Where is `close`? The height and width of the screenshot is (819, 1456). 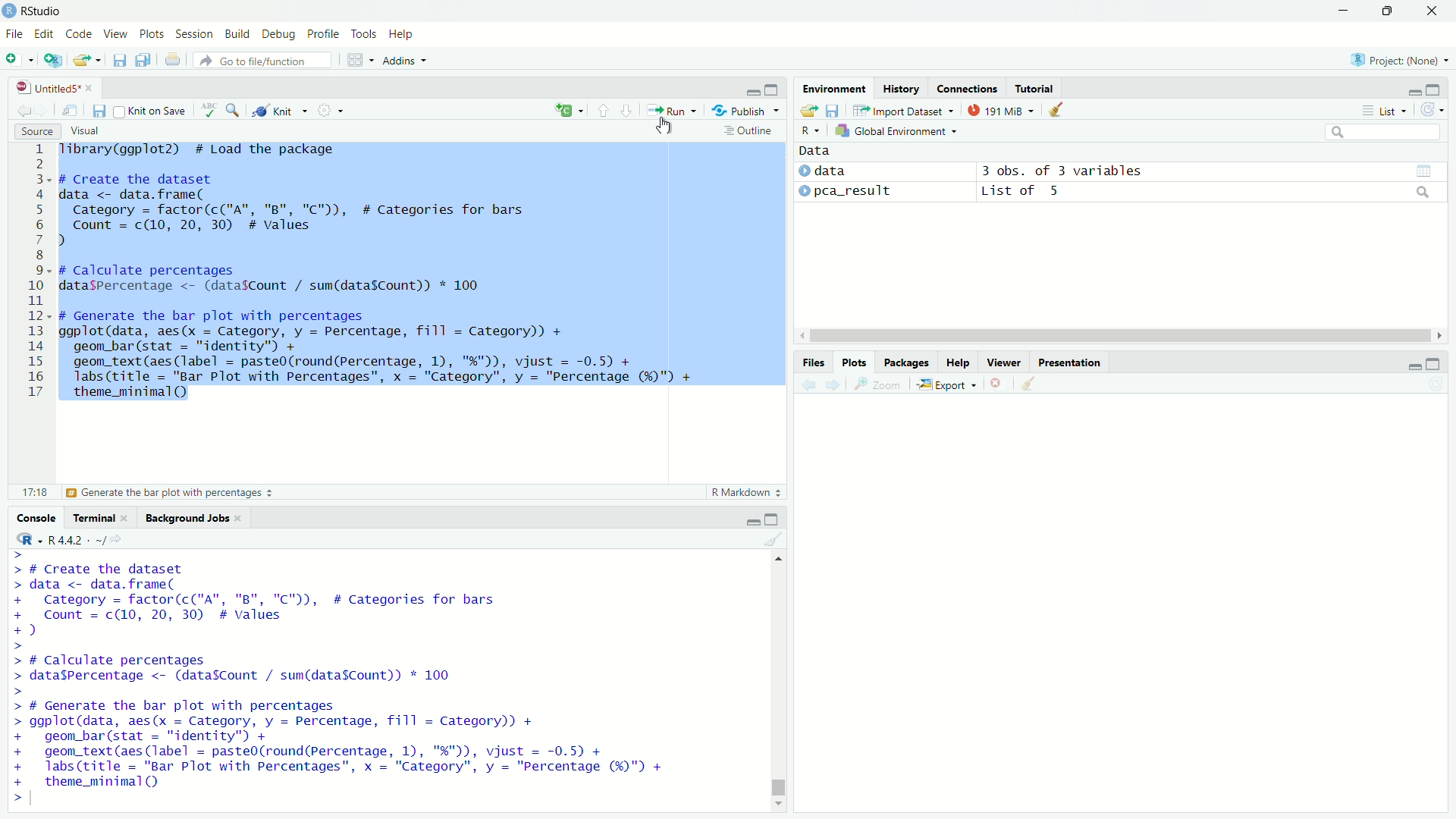 close is located at coordinates (1433, 11).